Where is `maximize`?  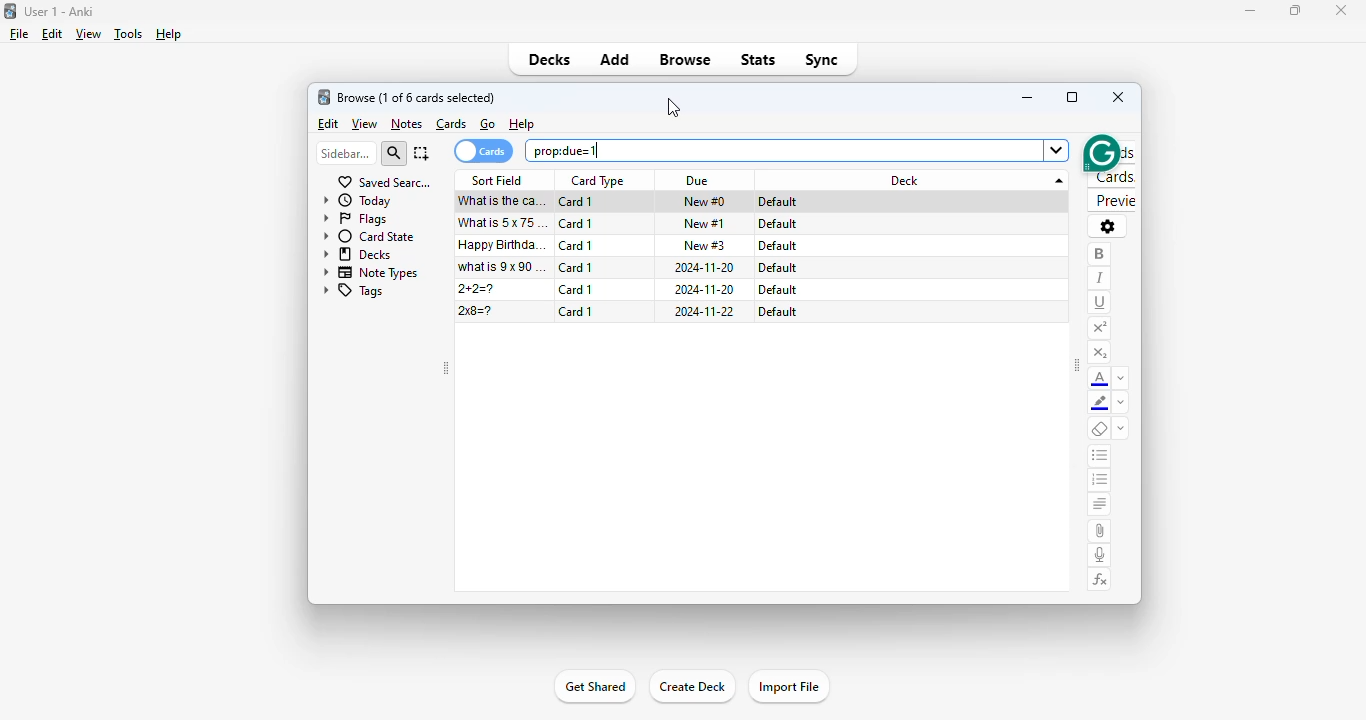
maximize is located at coordinates (1072, 96).